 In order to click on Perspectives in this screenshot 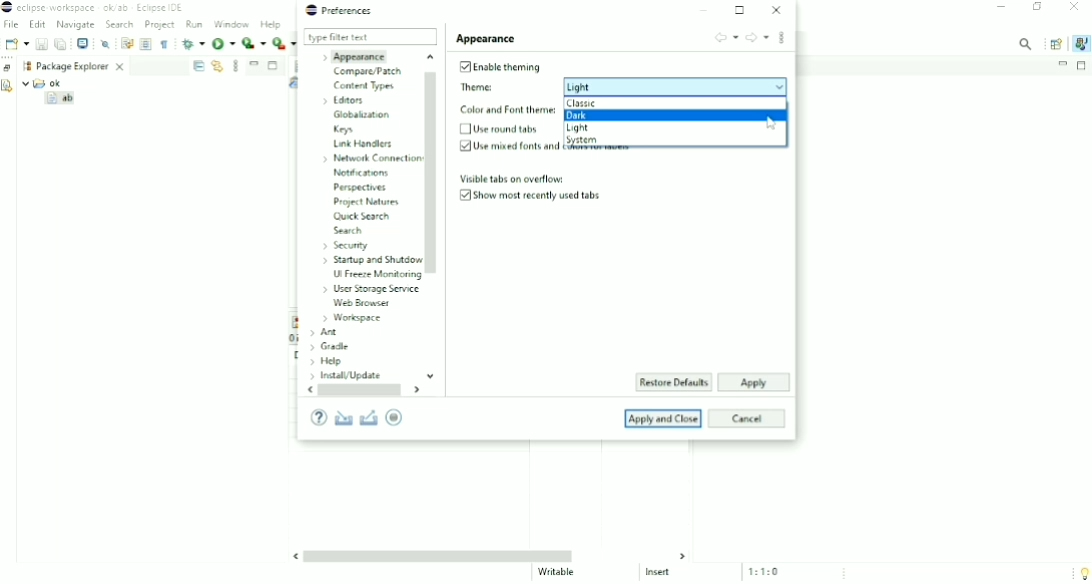, I will do `click(363, 187)`.